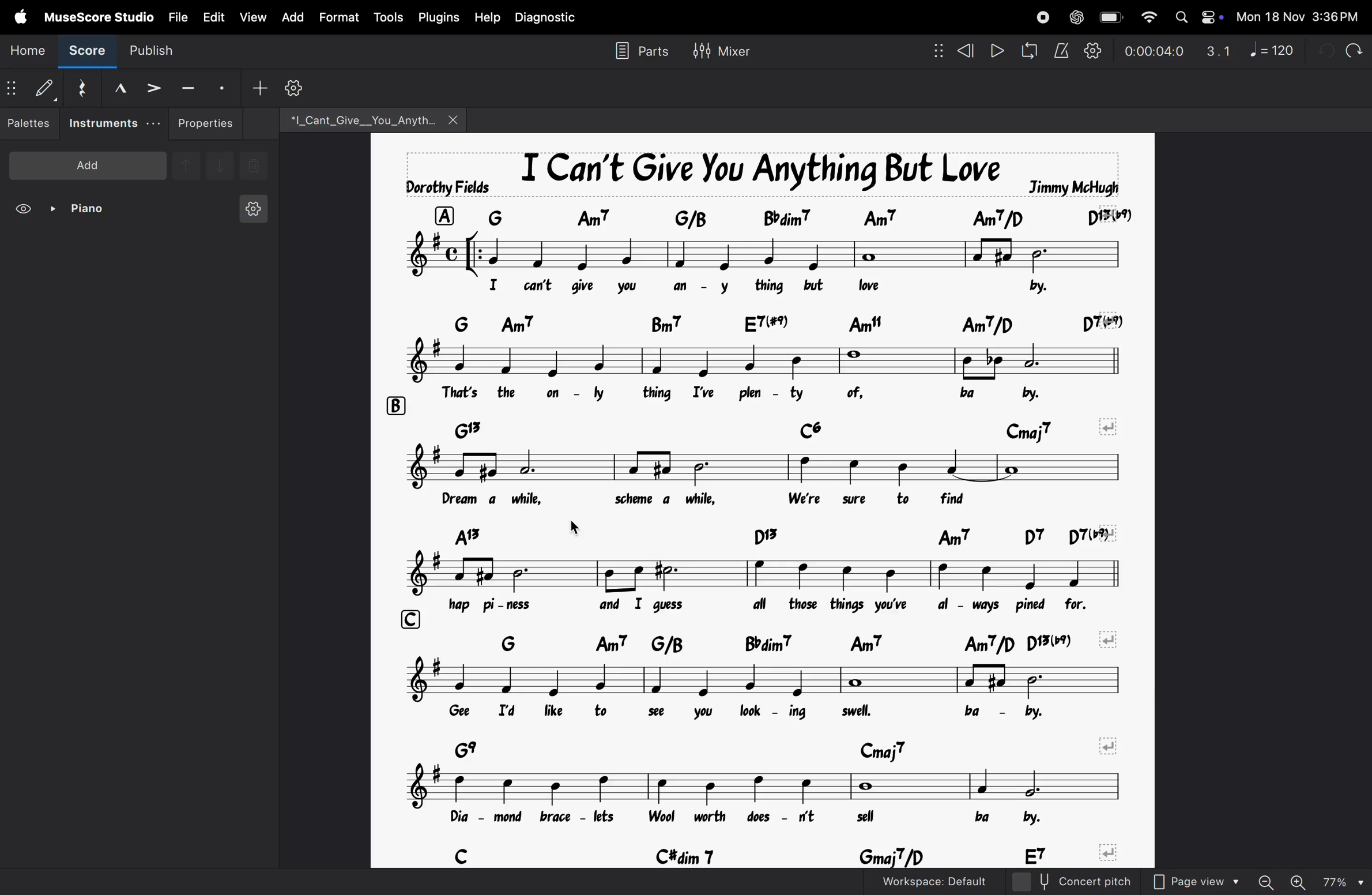  I want to click on rewind, so click(955, 51).